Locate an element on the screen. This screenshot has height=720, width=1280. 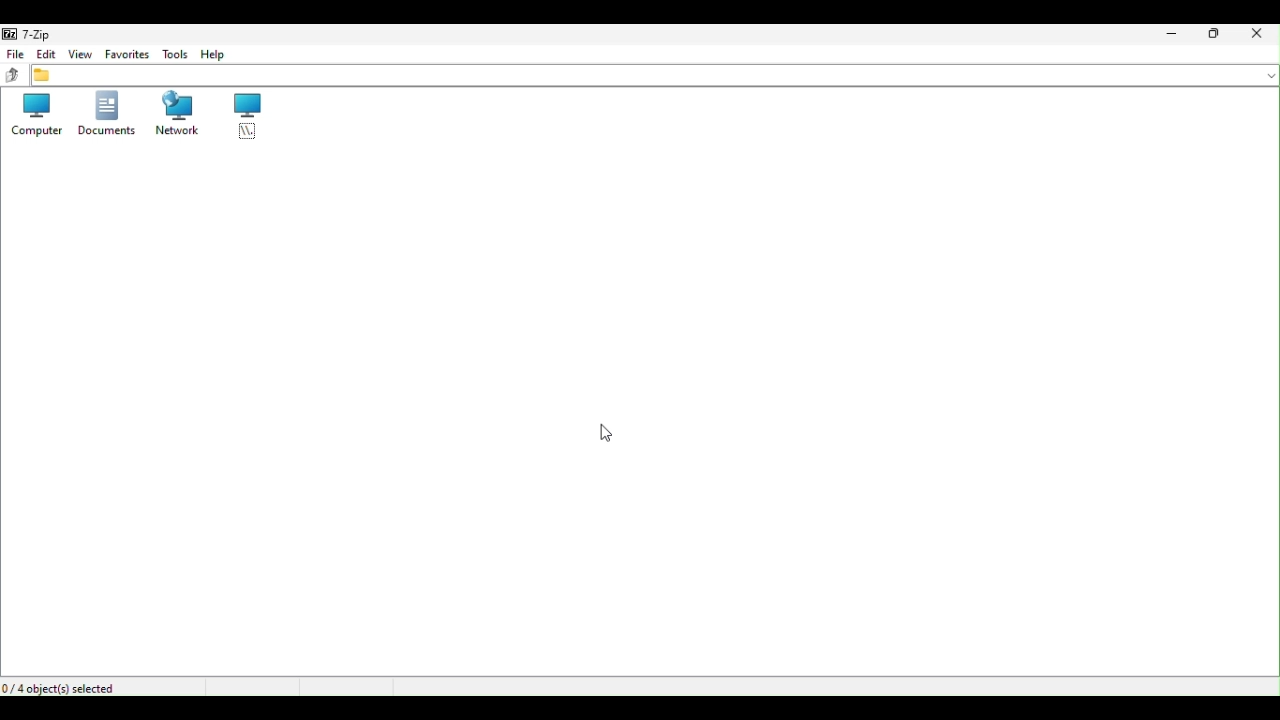
File address bar is located at coordinates (658, 76).